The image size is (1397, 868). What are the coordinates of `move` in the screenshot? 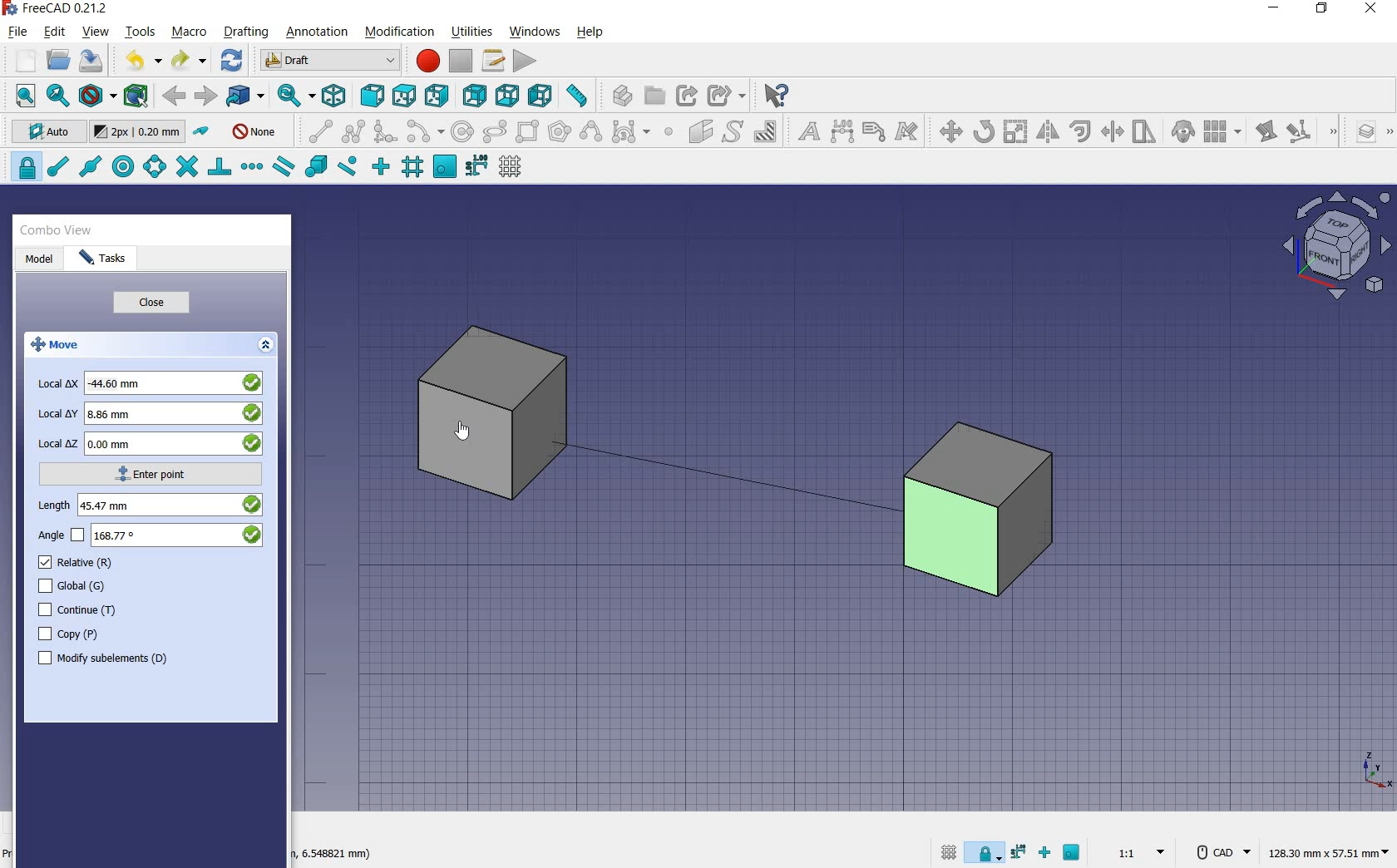 It's located at (86, 345).